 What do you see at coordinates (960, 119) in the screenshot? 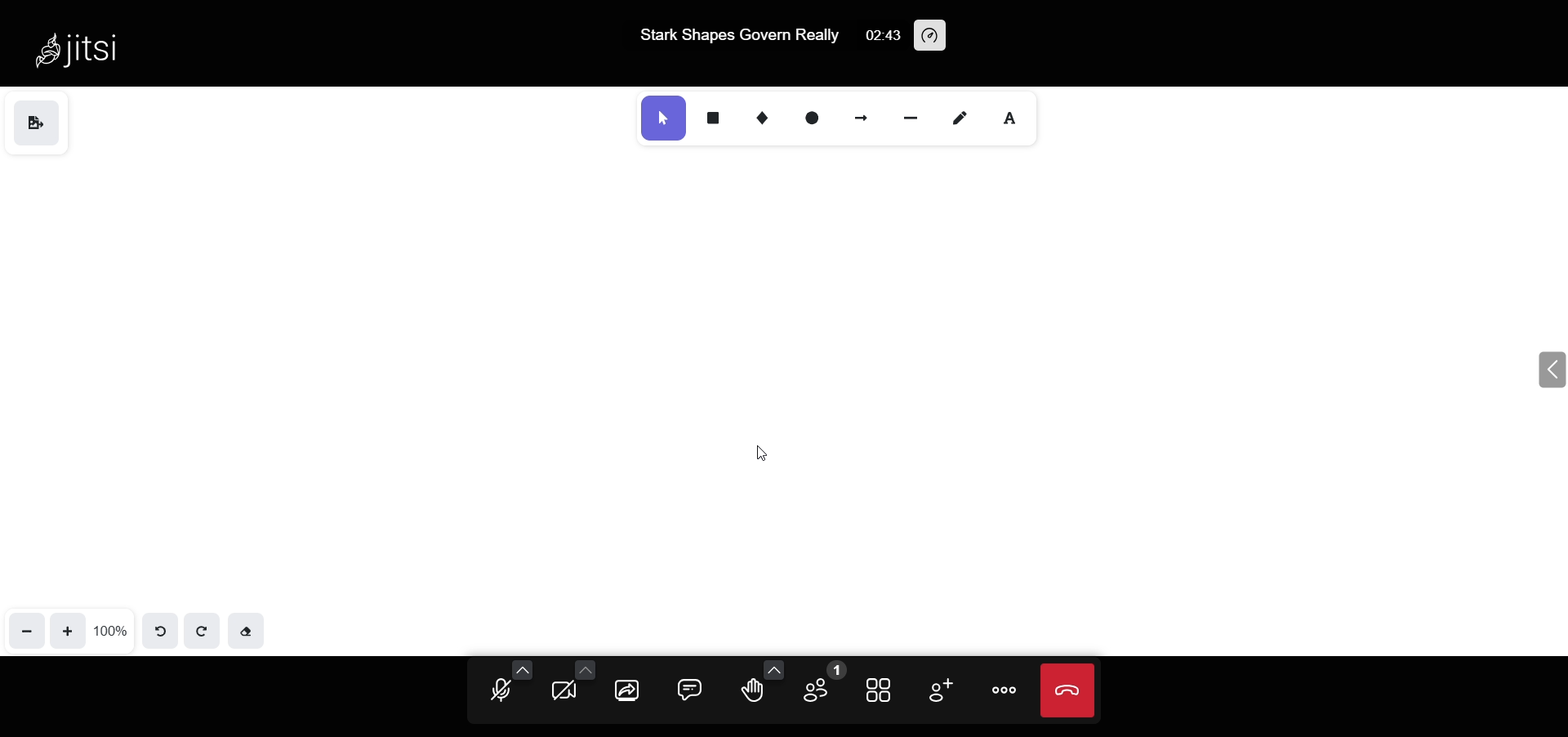
I see `draw` at bounding box center [960, 119].